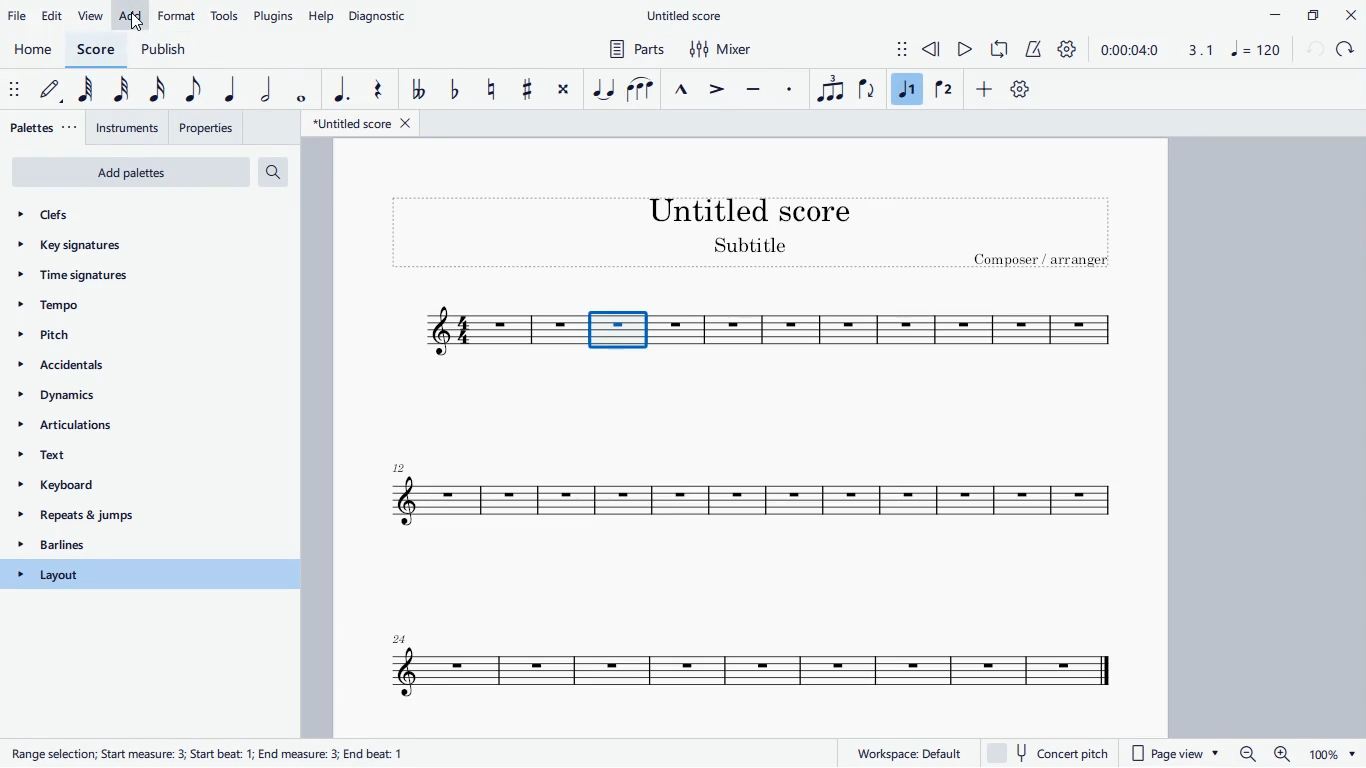 The width and height of the screenshot is (1366, 768). Describe the element at coordinates (304, 87) in the screenshot. I see `full note` at that location.